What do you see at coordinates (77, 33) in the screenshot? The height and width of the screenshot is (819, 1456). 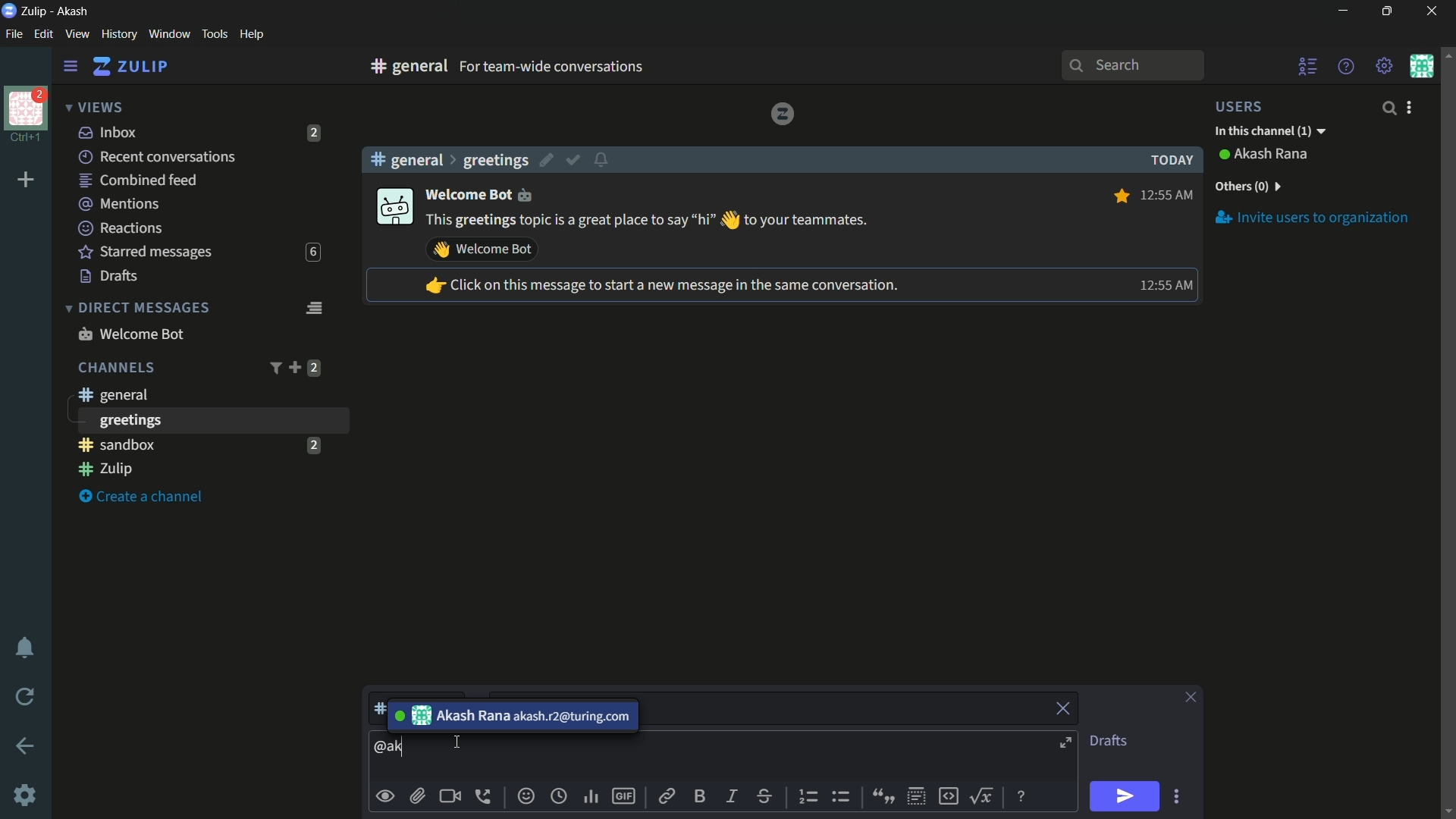 I see `view menu` at bounding box center [77, 33].